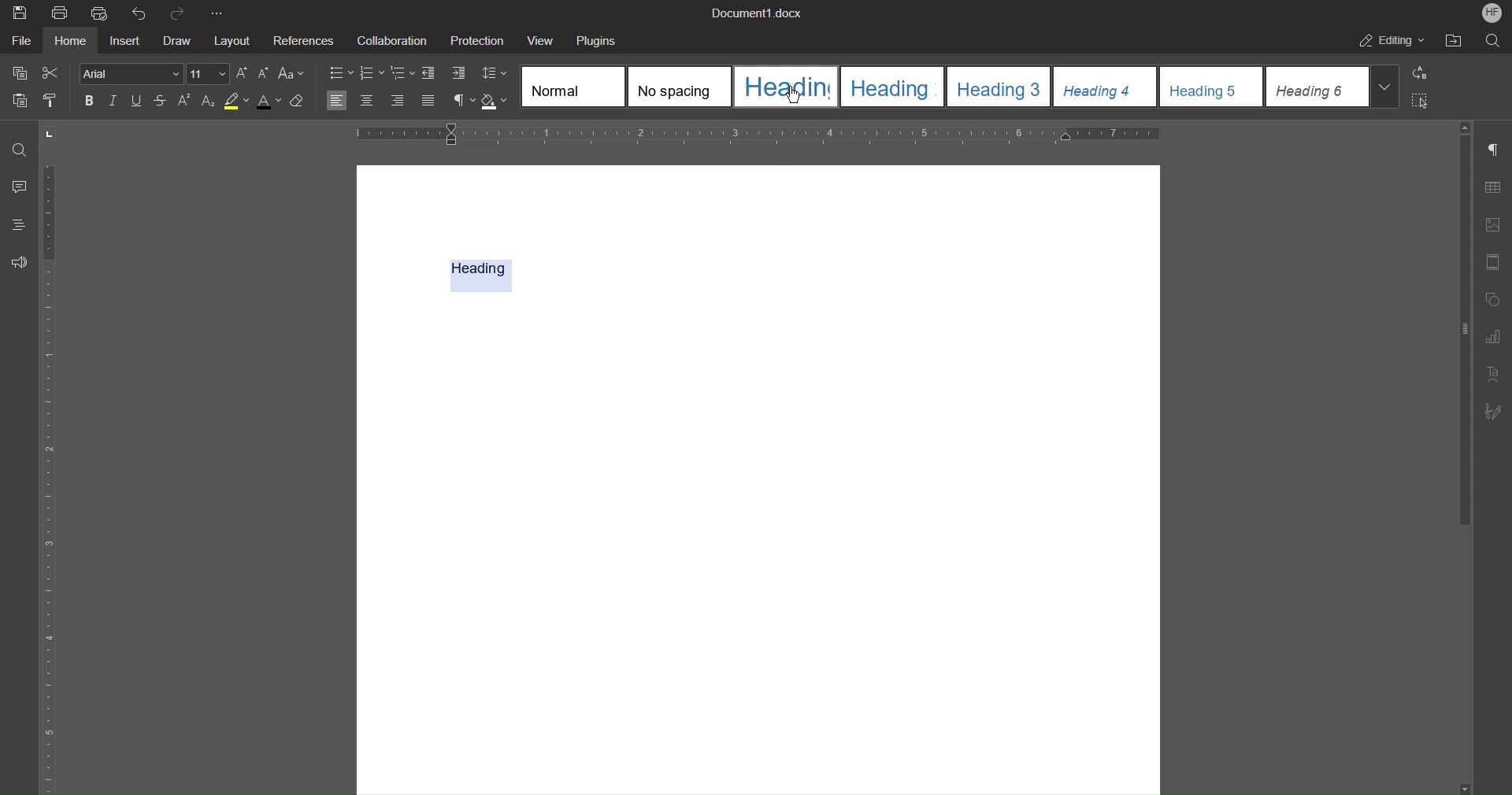 The image size is (1512, 795). I want to click on Signature, so click(1494, 411).